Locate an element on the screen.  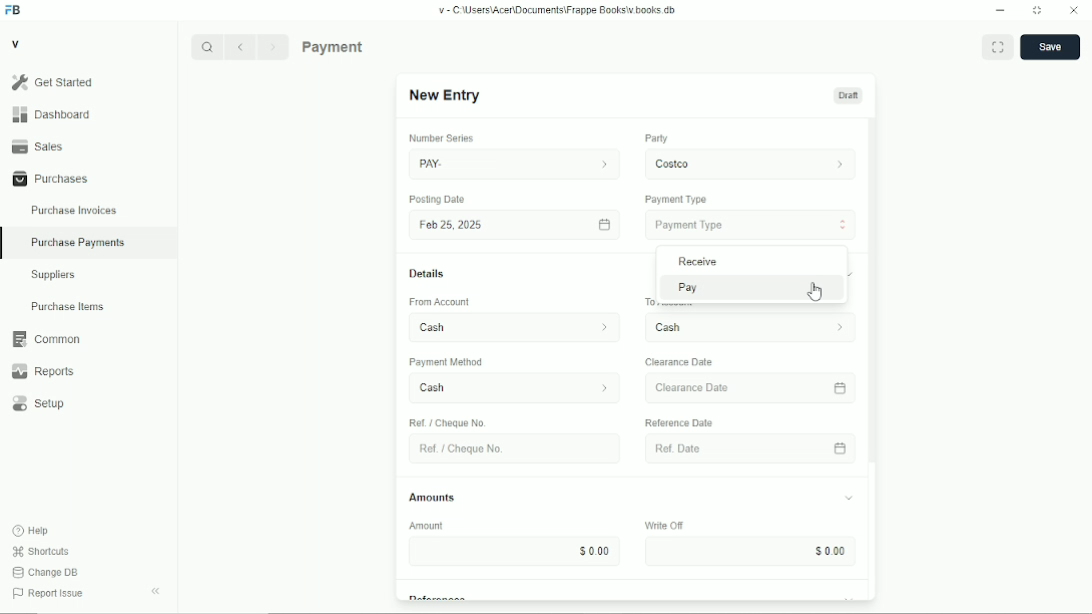
Dashboard is located at coordinates (88, 114).